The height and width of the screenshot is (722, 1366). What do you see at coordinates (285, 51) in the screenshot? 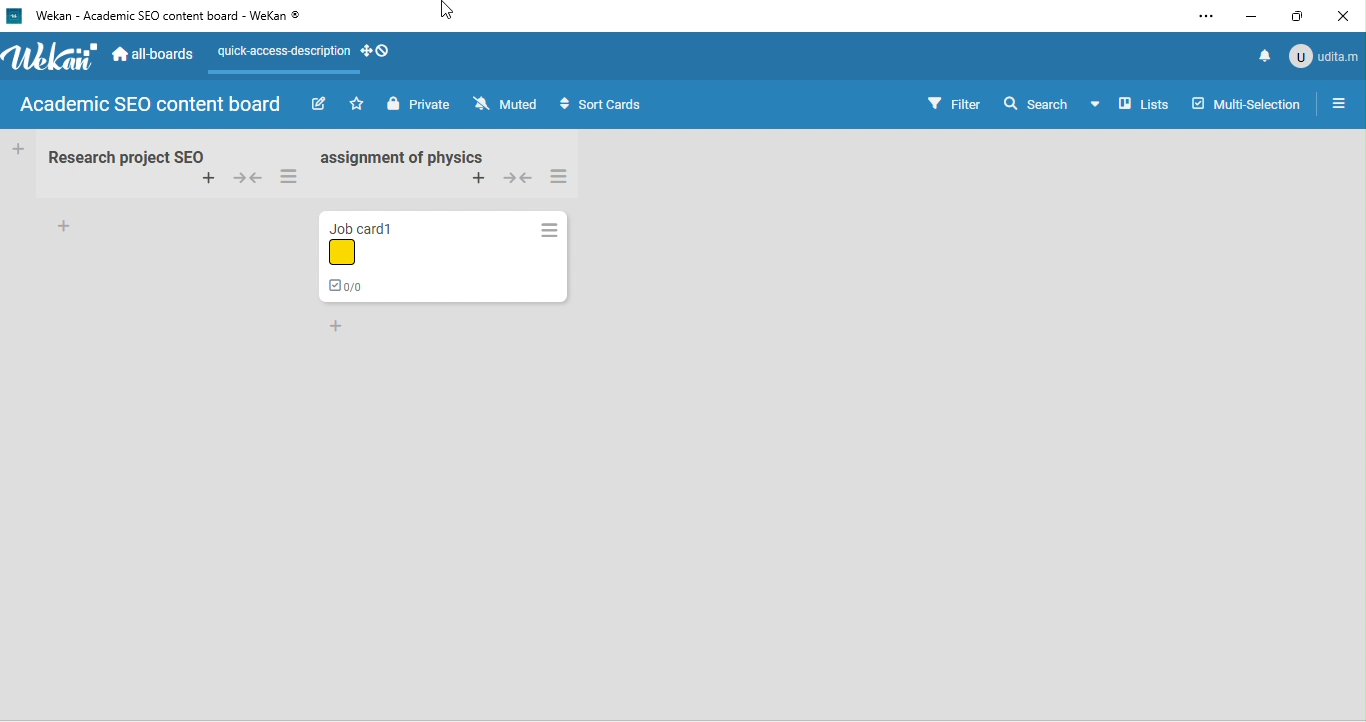
I see `quick access description` at bounding box center [285, 51].